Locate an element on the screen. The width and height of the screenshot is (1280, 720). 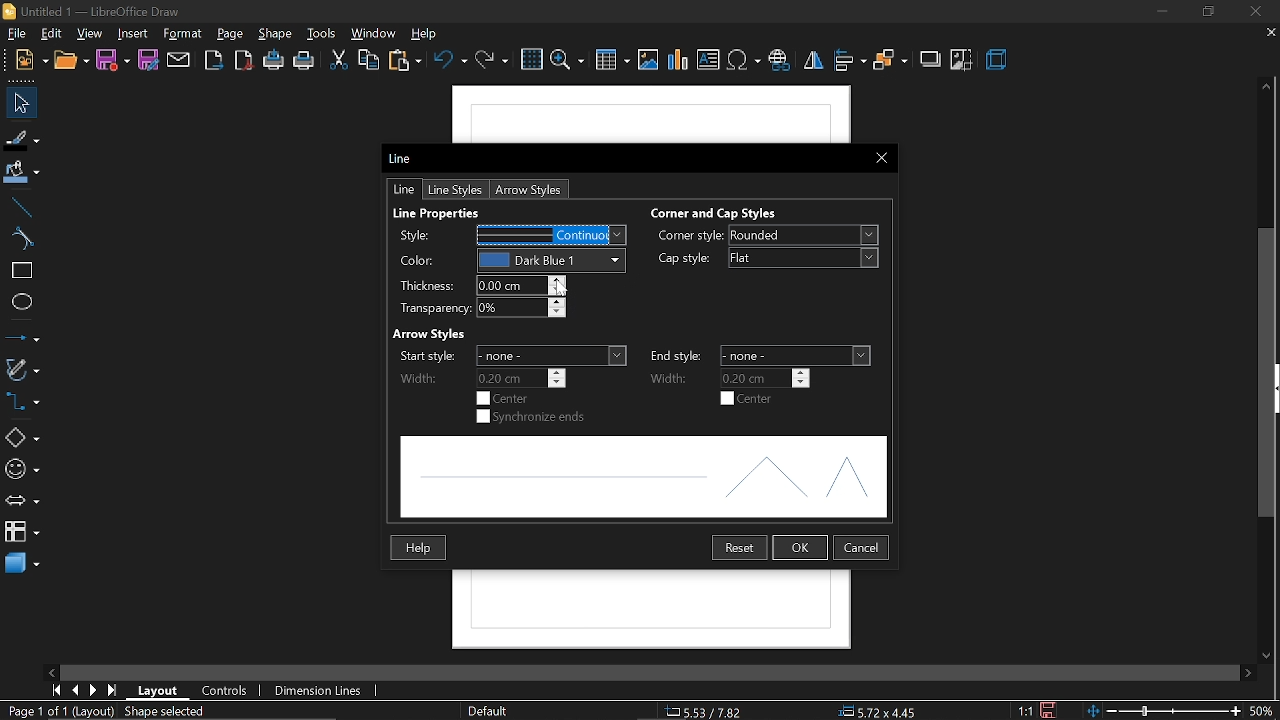
width is located at coordinates (674, 377).